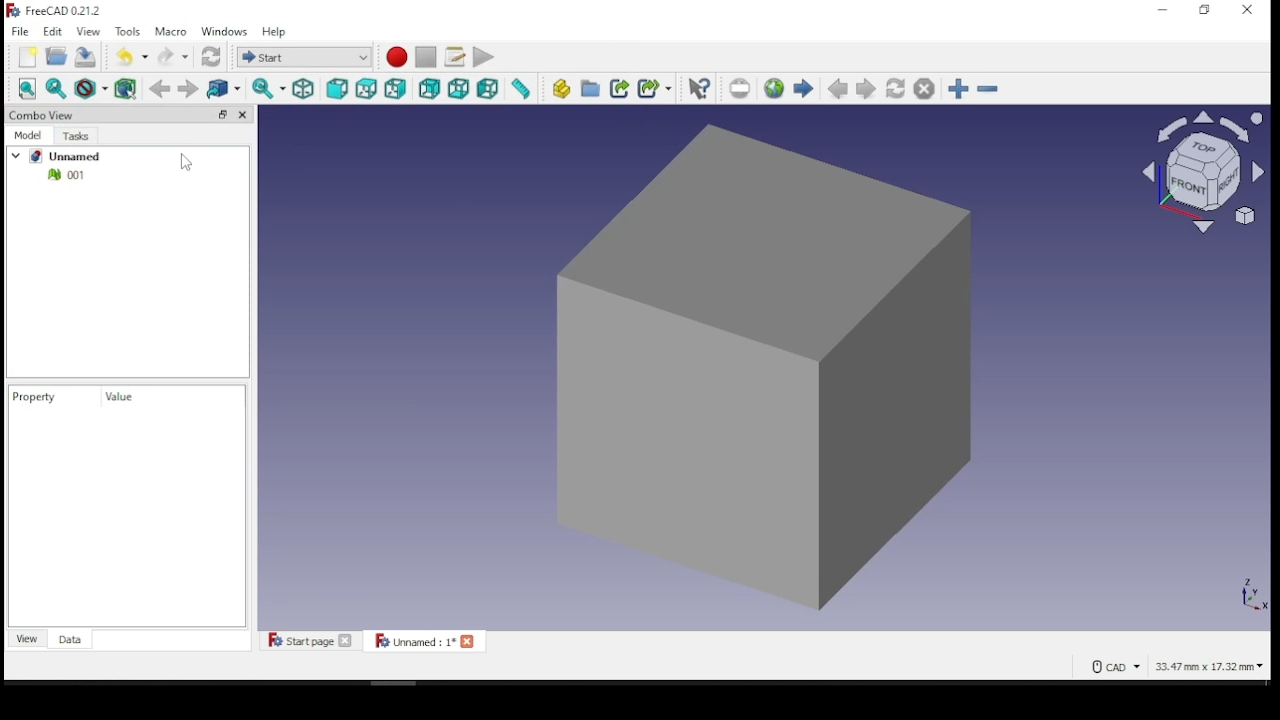 The image size is (1280, 720). I want to click on start page, so click(310, 642).